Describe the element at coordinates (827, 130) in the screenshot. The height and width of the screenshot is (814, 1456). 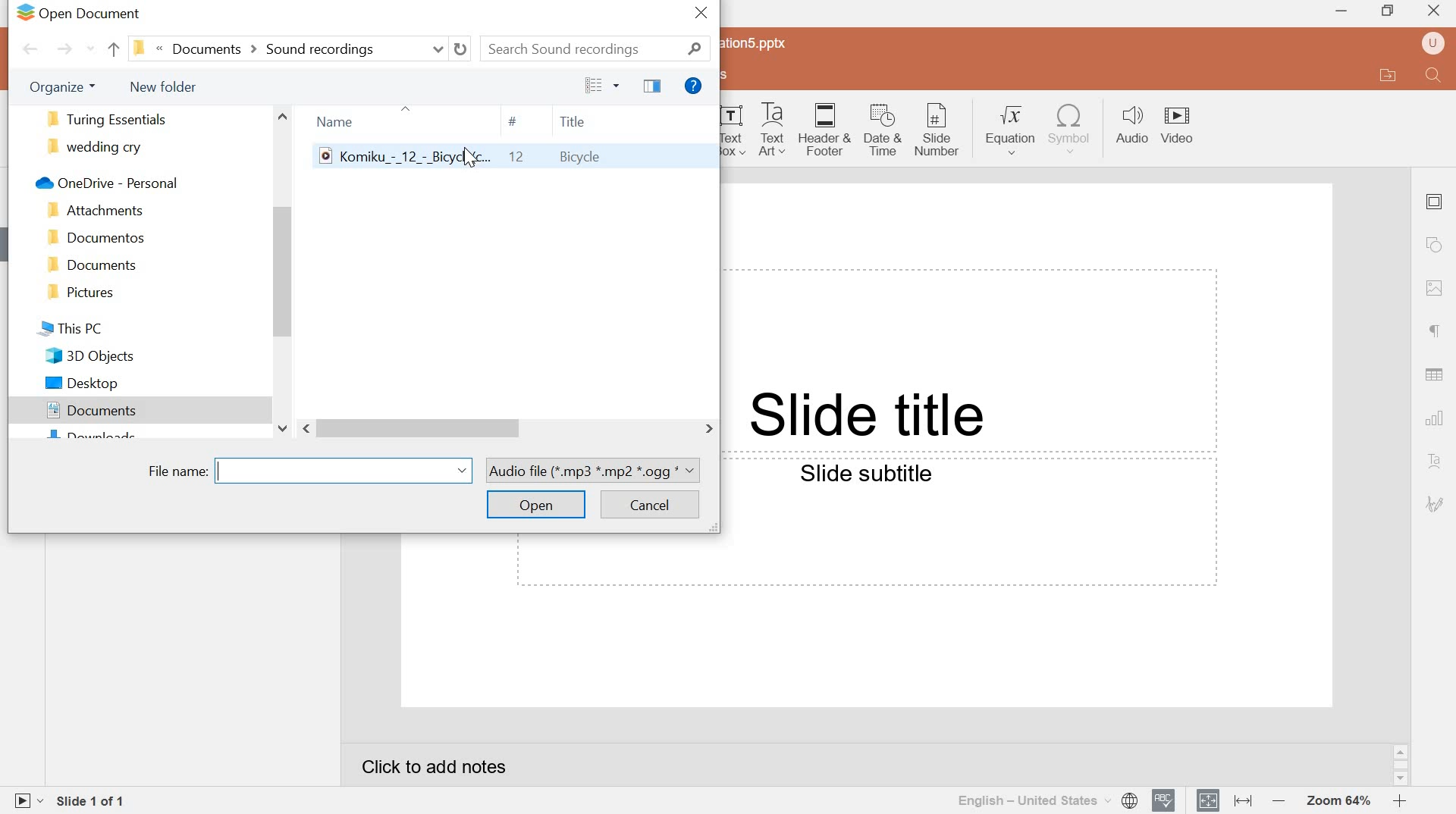
I see `Header & Footer` at that location.